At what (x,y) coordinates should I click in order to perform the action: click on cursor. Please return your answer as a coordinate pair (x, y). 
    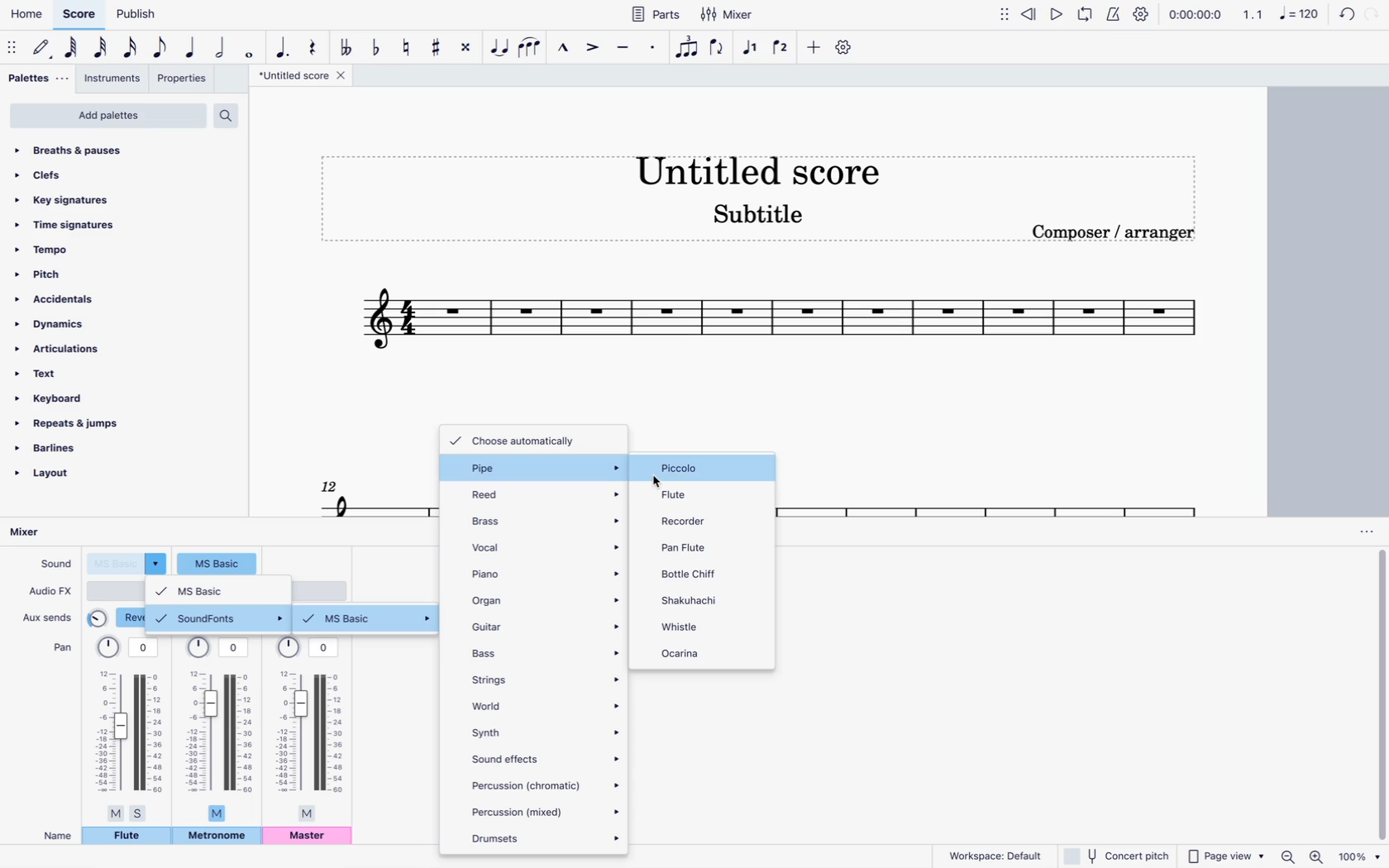
    Looking at the image, I should click on (658, 482).